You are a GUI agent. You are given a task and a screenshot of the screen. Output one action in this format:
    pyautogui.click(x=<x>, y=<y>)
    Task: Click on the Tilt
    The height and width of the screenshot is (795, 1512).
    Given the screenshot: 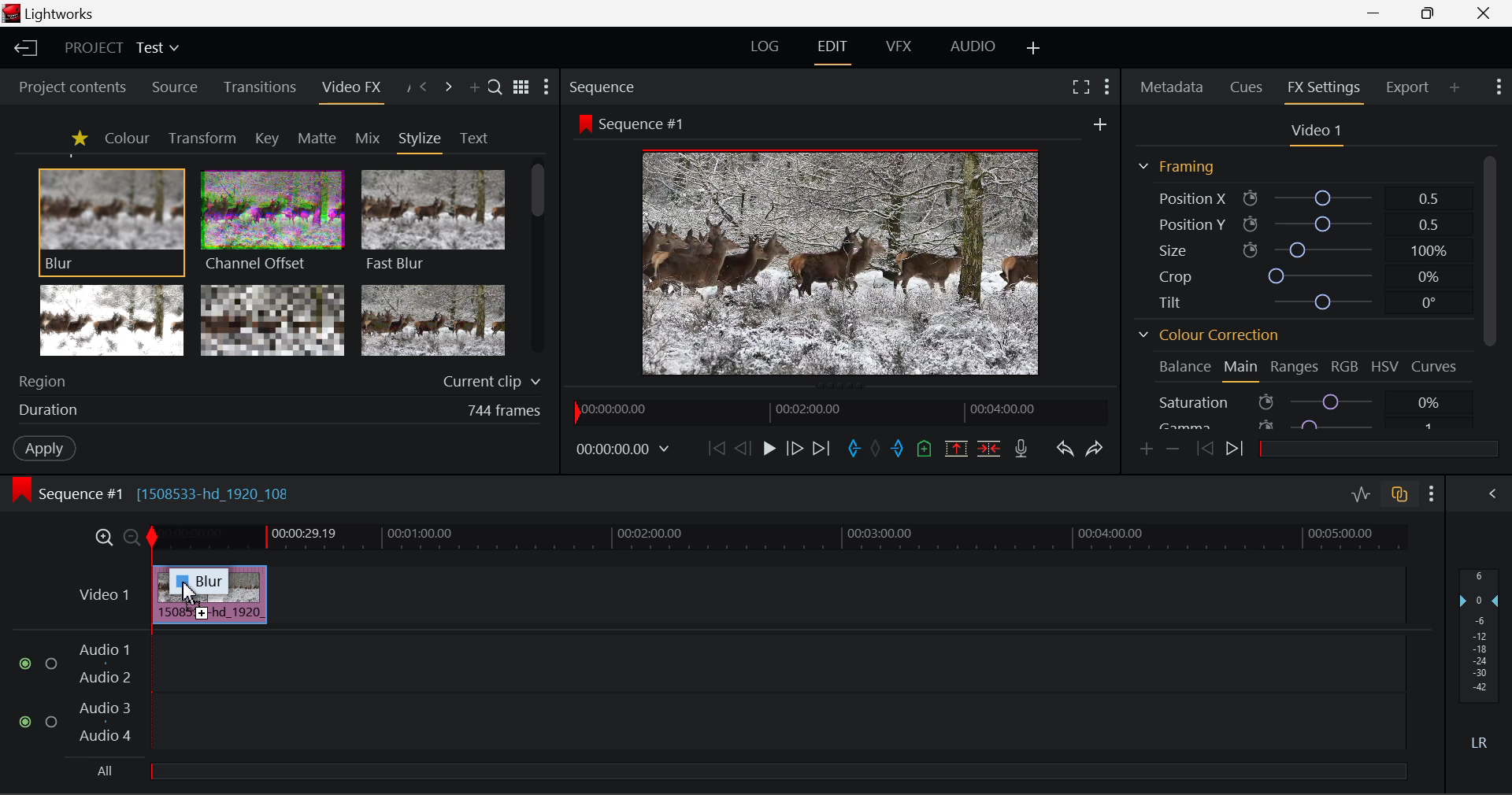 What is the action you would take?
    pyautogui.click(x=1295, y=304)
    